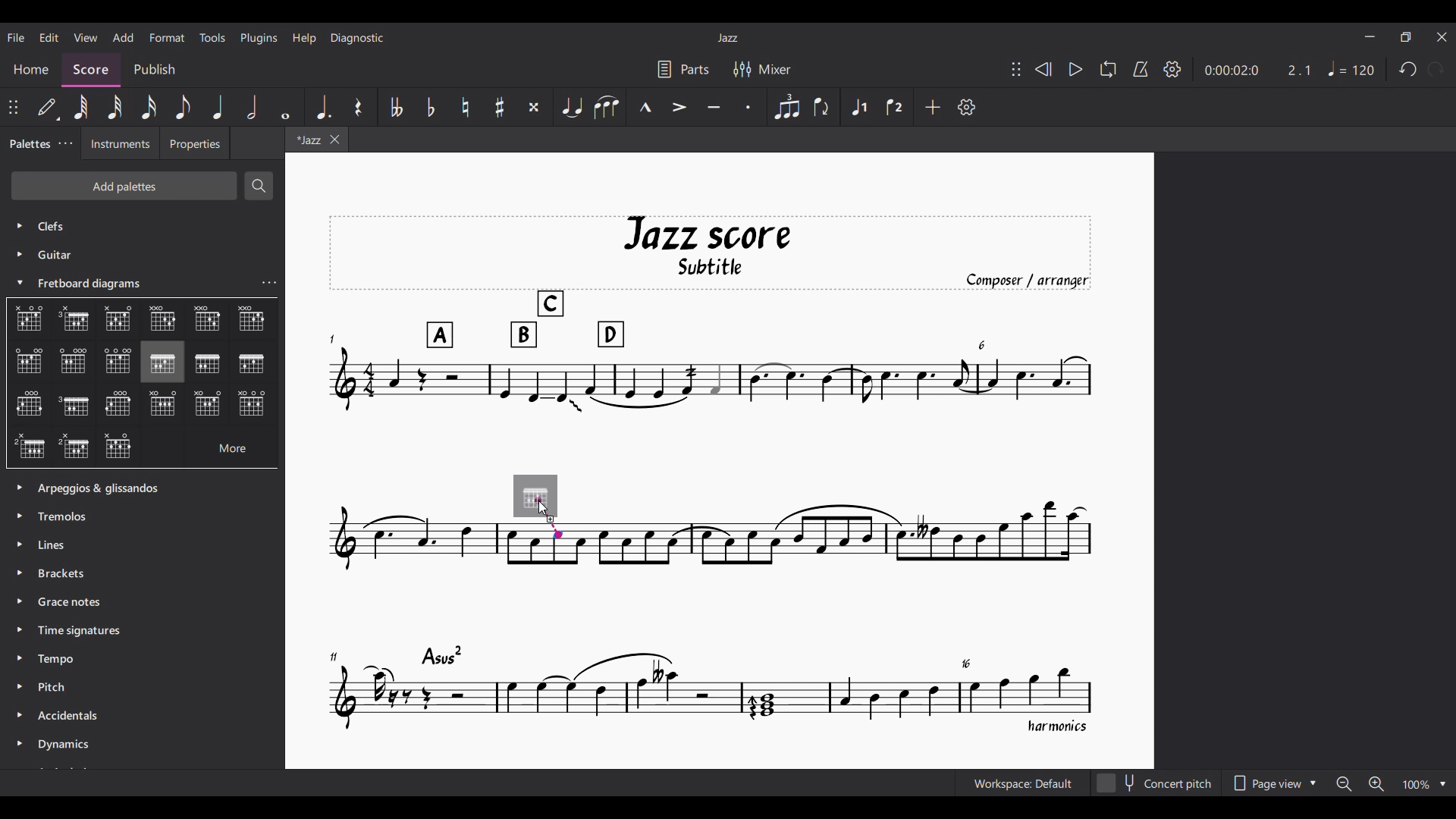  Describe the element at coordinates (86, 745) in the screenshot. I see `Dynamics` at that location.